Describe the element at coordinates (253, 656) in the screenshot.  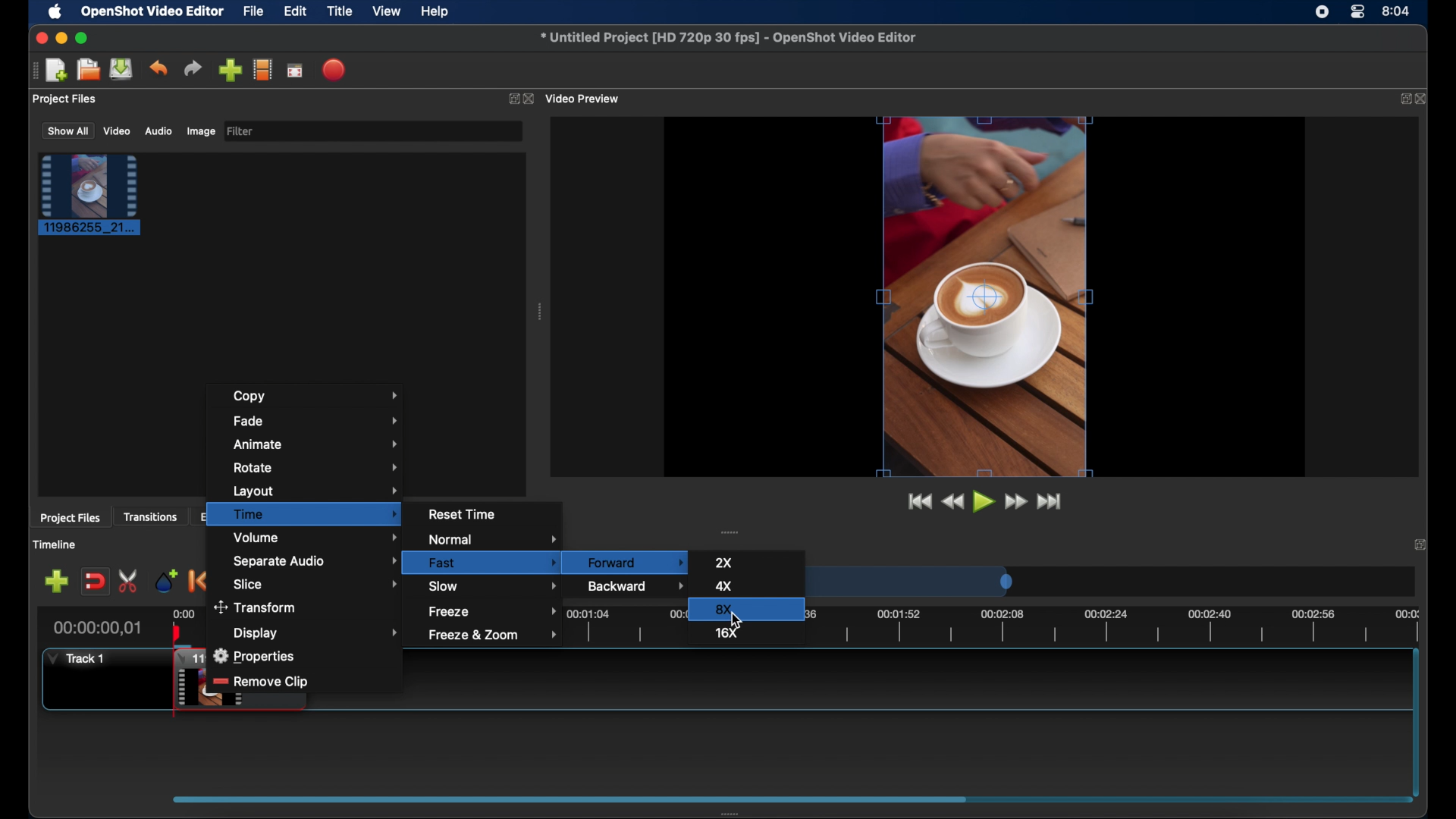
I see `properties` at that location.